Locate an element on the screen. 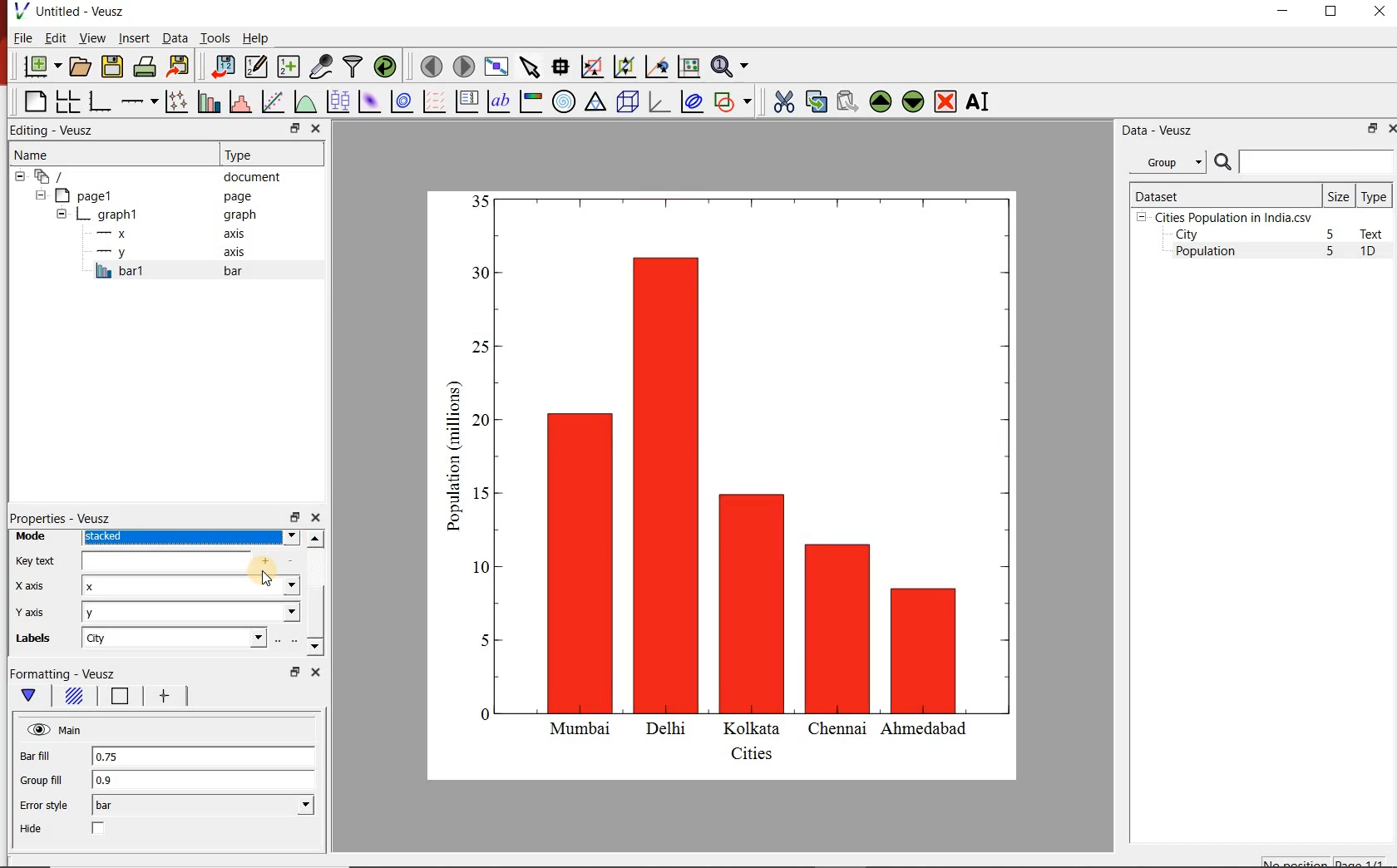 This screenshot has height=868, width=1397. Cities Population in India.csv is located at coordinates (1232, 217).